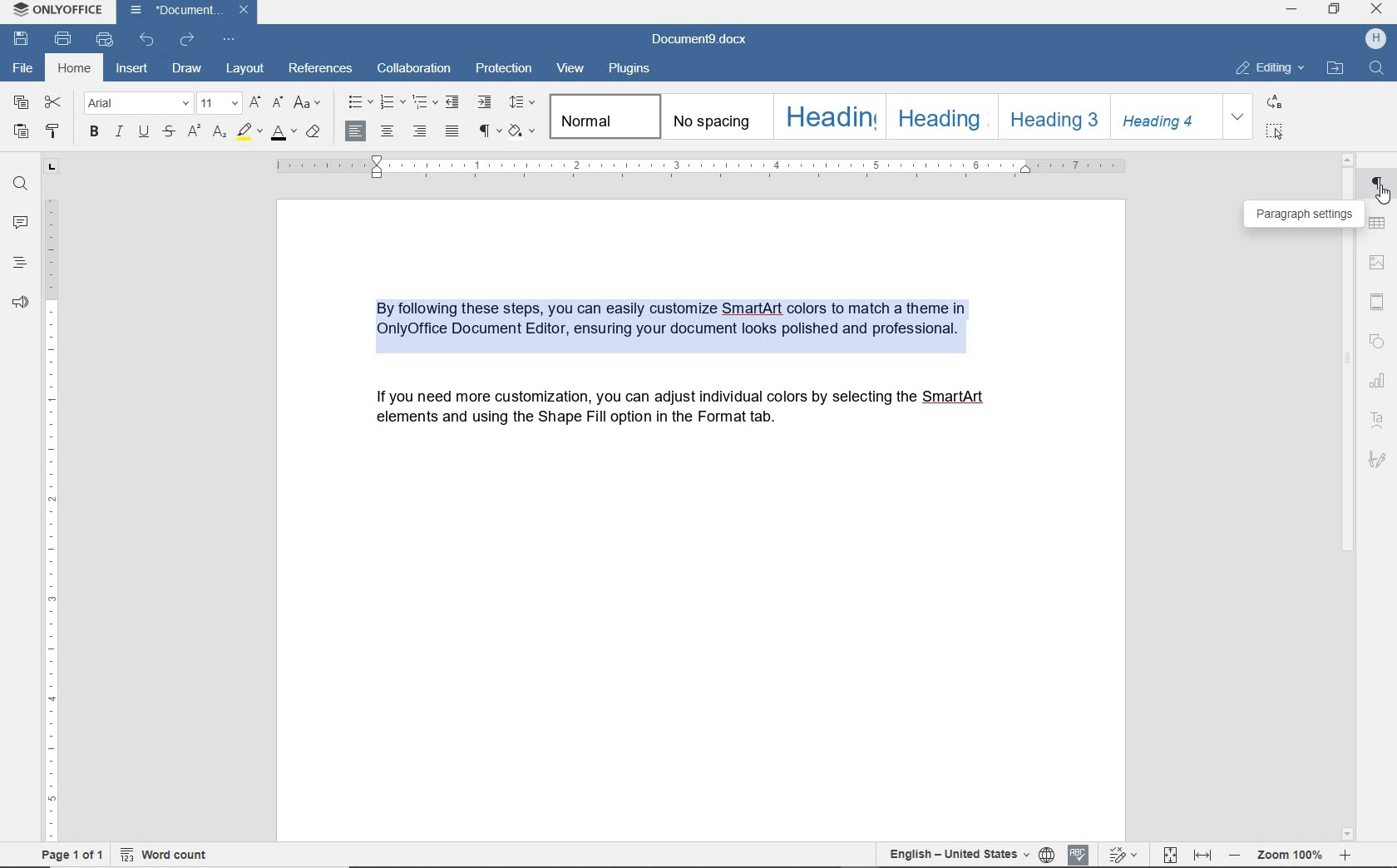 The width and height of the screenshot is (1397, 868). What do you see at coordinates (1380, 340) in the screenshot?
I see `shape` at bounding box center [1380, 340].